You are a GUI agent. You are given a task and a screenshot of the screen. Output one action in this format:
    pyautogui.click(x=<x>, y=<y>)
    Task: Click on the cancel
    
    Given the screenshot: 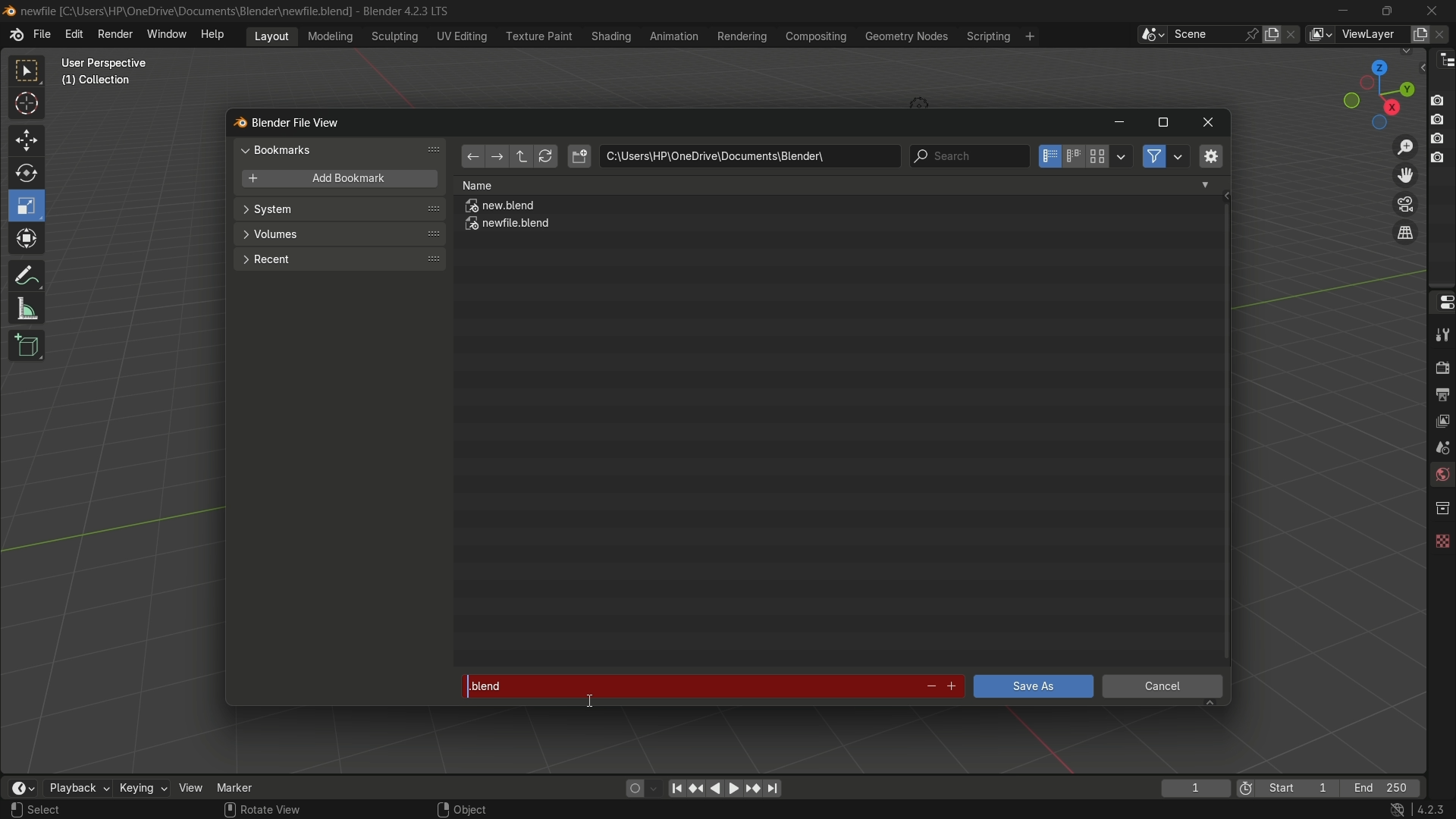 What is the action you would take?
    pyautogui.click(x=1163, y=689)
    